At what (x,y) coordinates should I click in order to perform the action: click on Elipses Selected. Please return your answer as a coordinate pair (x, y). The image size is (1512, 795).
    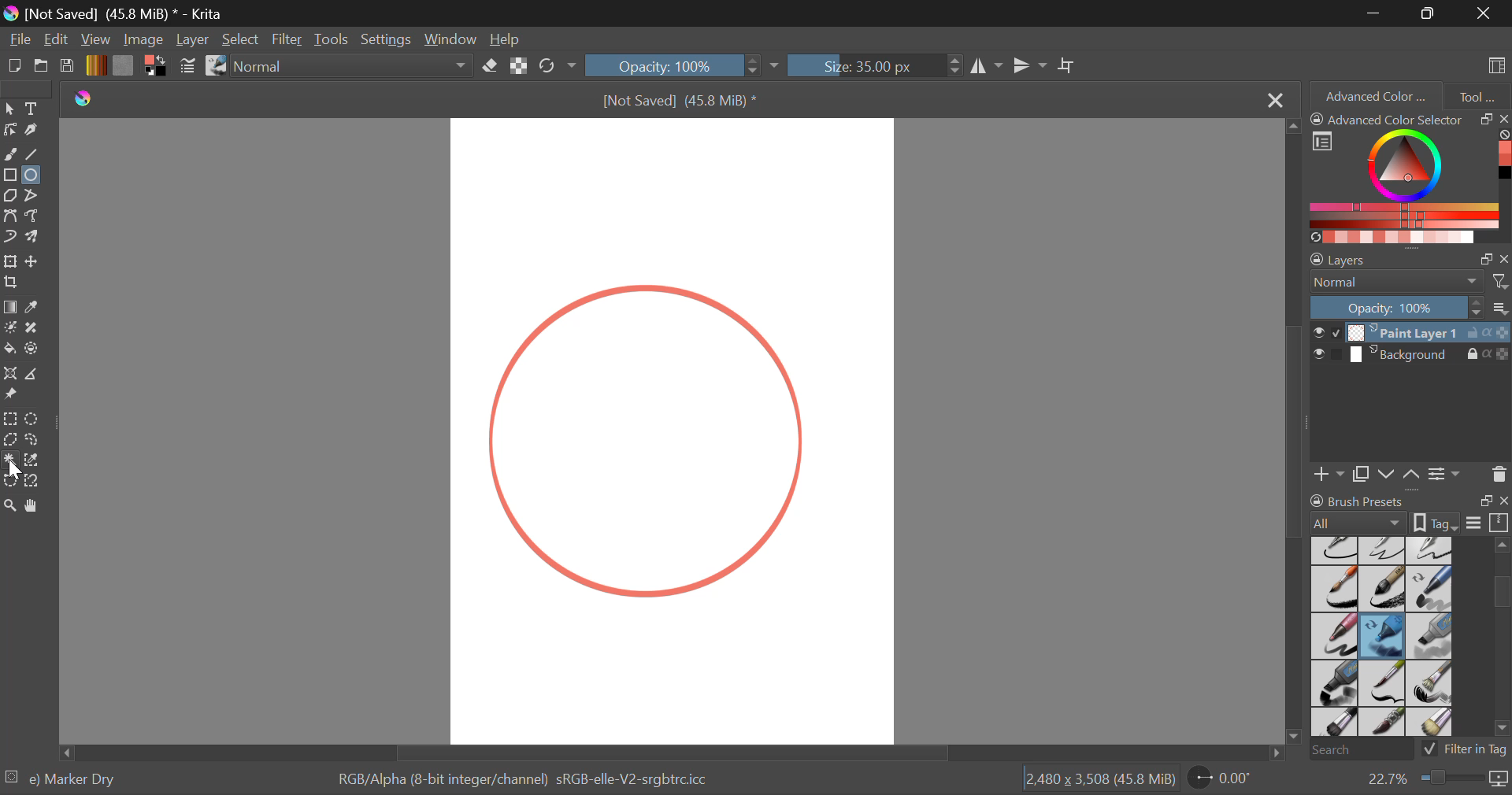
    Looking at the image, I should click on (35, 174).